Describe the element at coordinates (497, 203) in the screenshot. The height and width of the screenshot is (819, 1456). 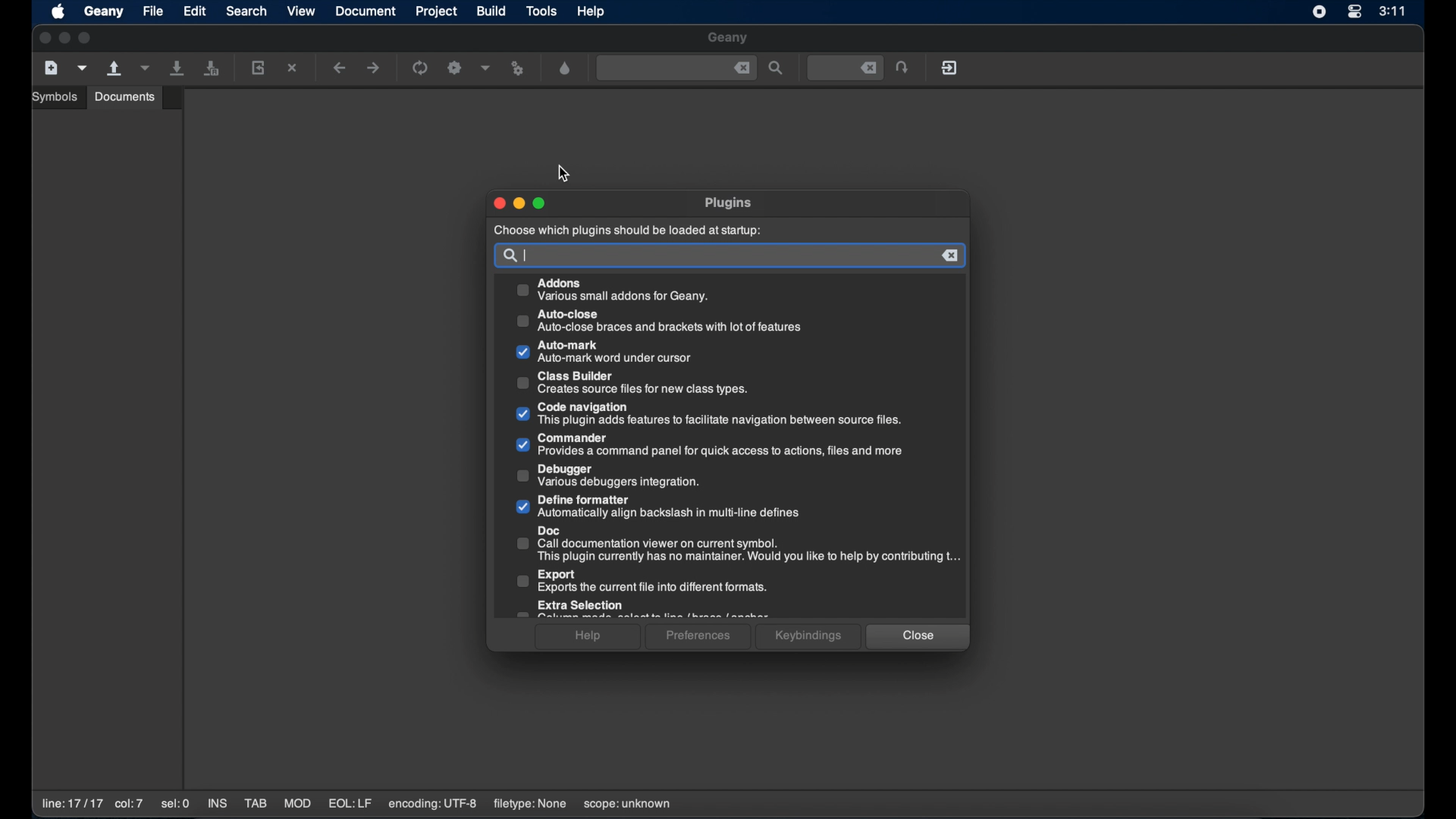
I see `close` at that location.